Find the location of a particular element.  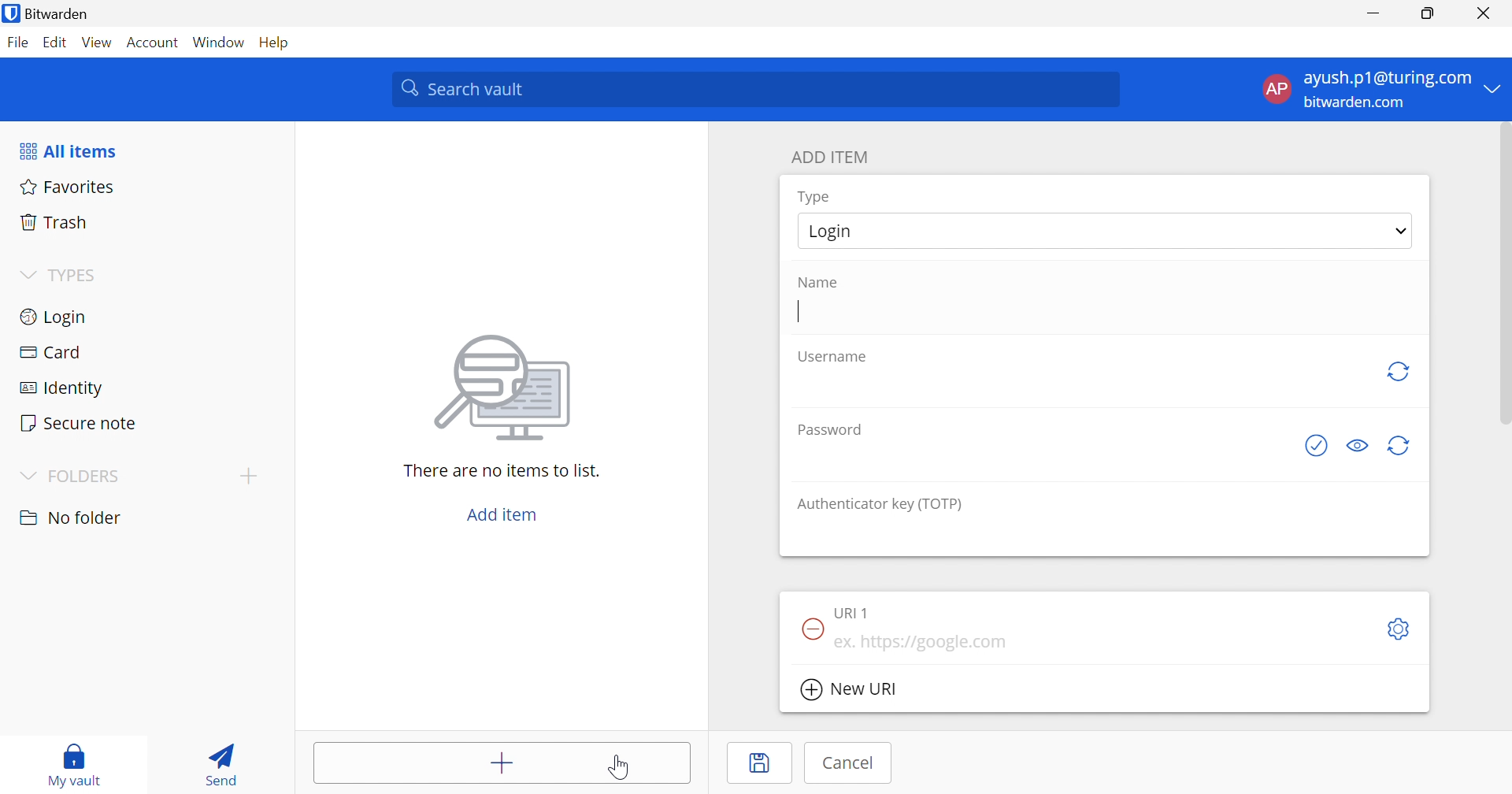

Login is located at coordinates (838, 231).